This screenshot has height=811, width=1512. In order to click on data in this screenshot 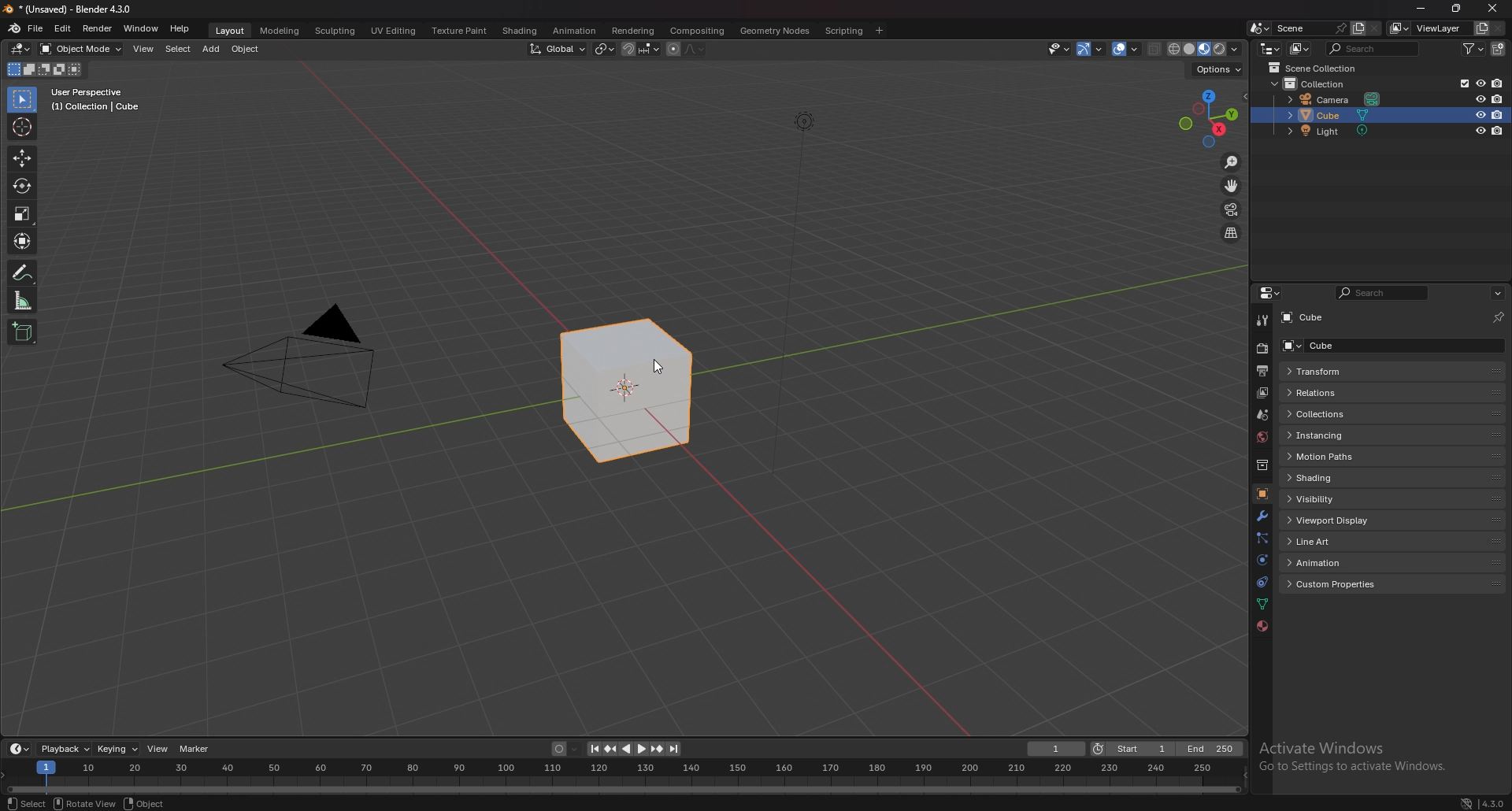, I will do `click(1262, 605)`.